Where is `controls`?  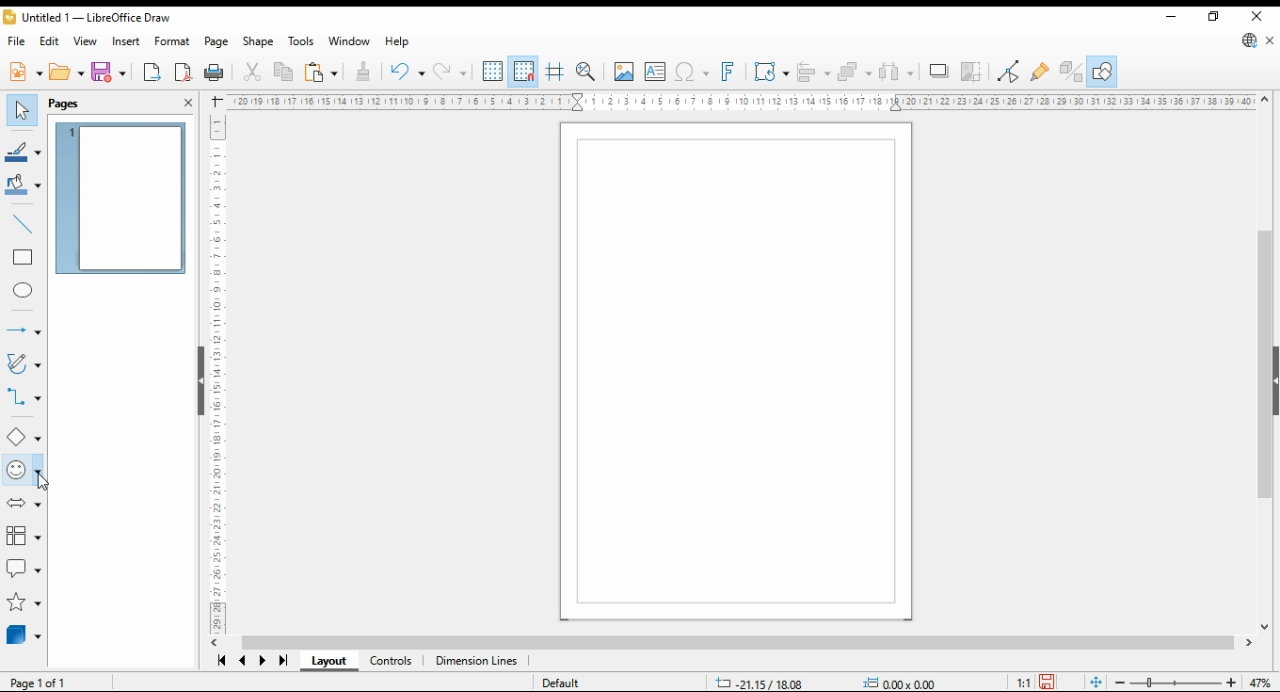
controls is located at coordinates (392, 663).